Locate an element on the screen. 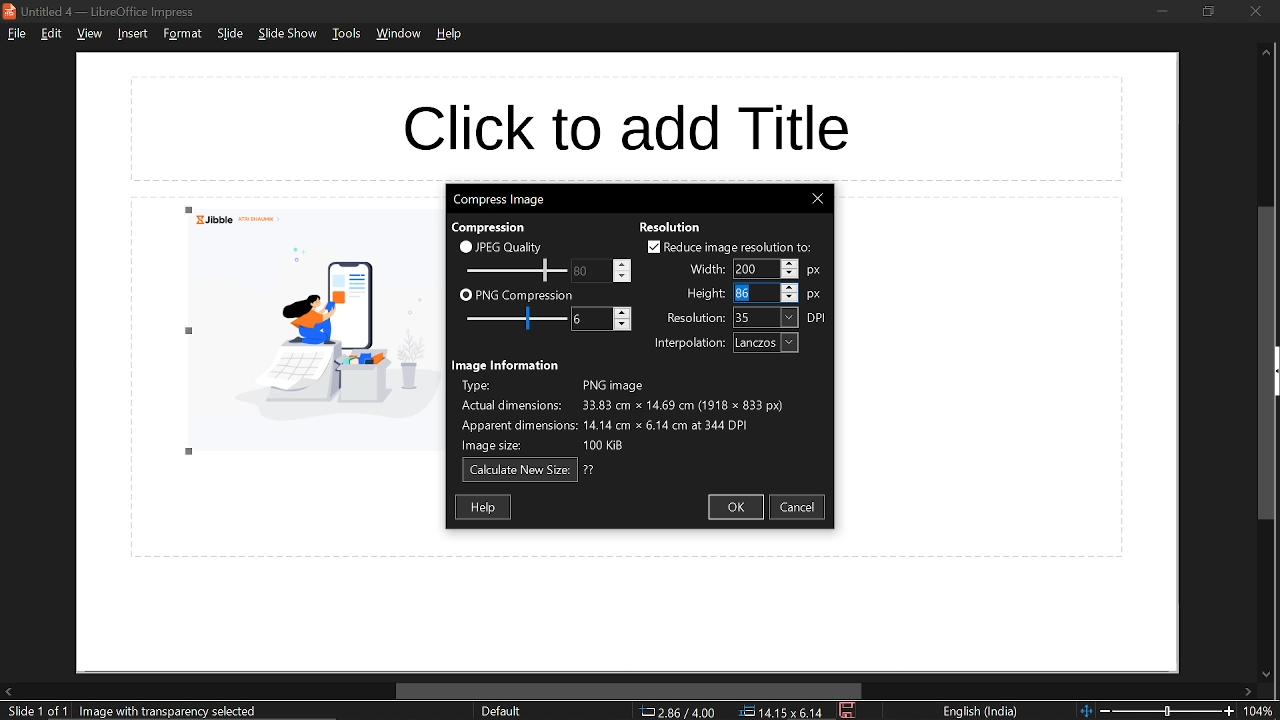  current window is located at coordinates (104, 11).